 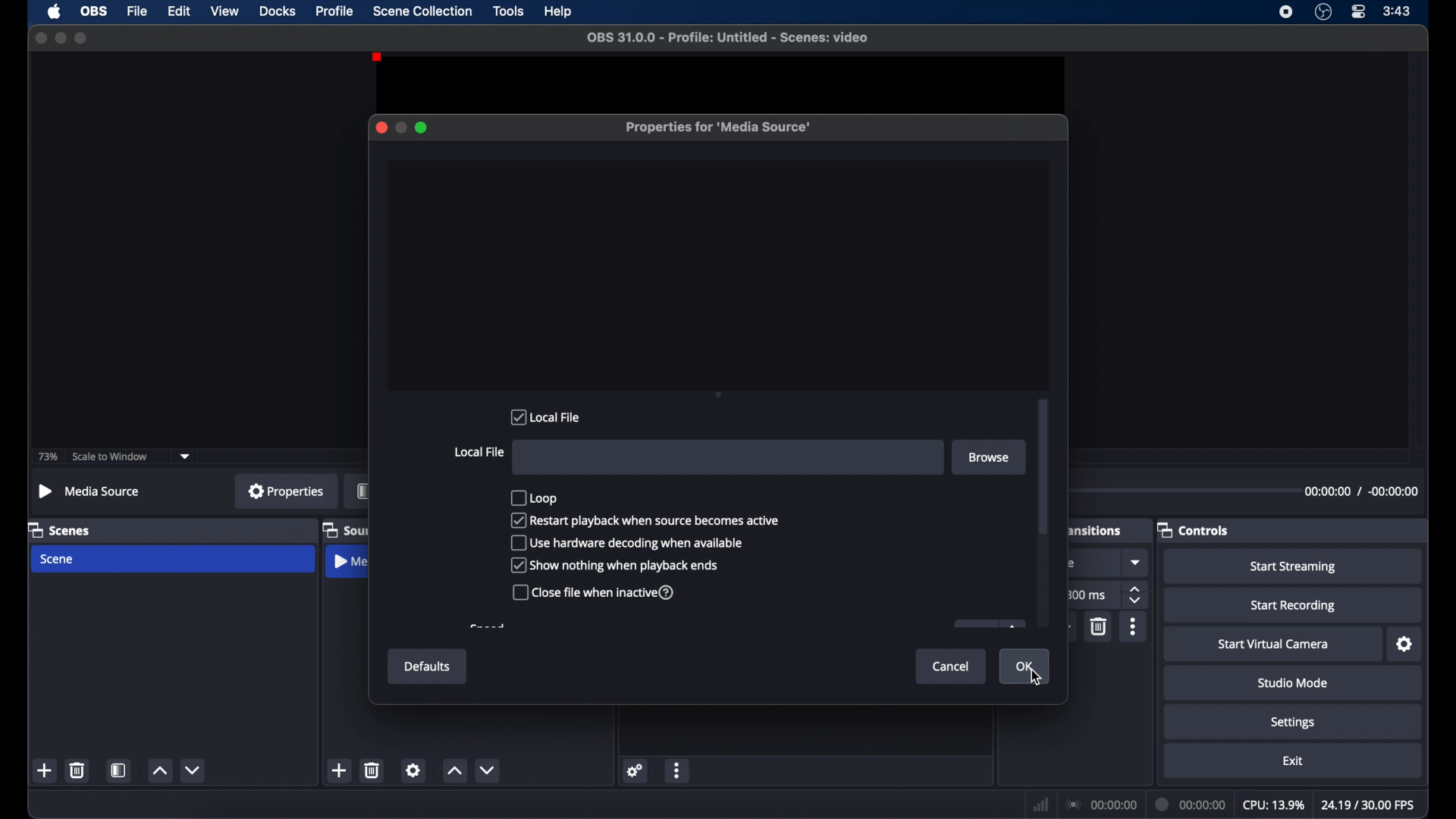 I want to click on settings, so click(x=635, y=770).